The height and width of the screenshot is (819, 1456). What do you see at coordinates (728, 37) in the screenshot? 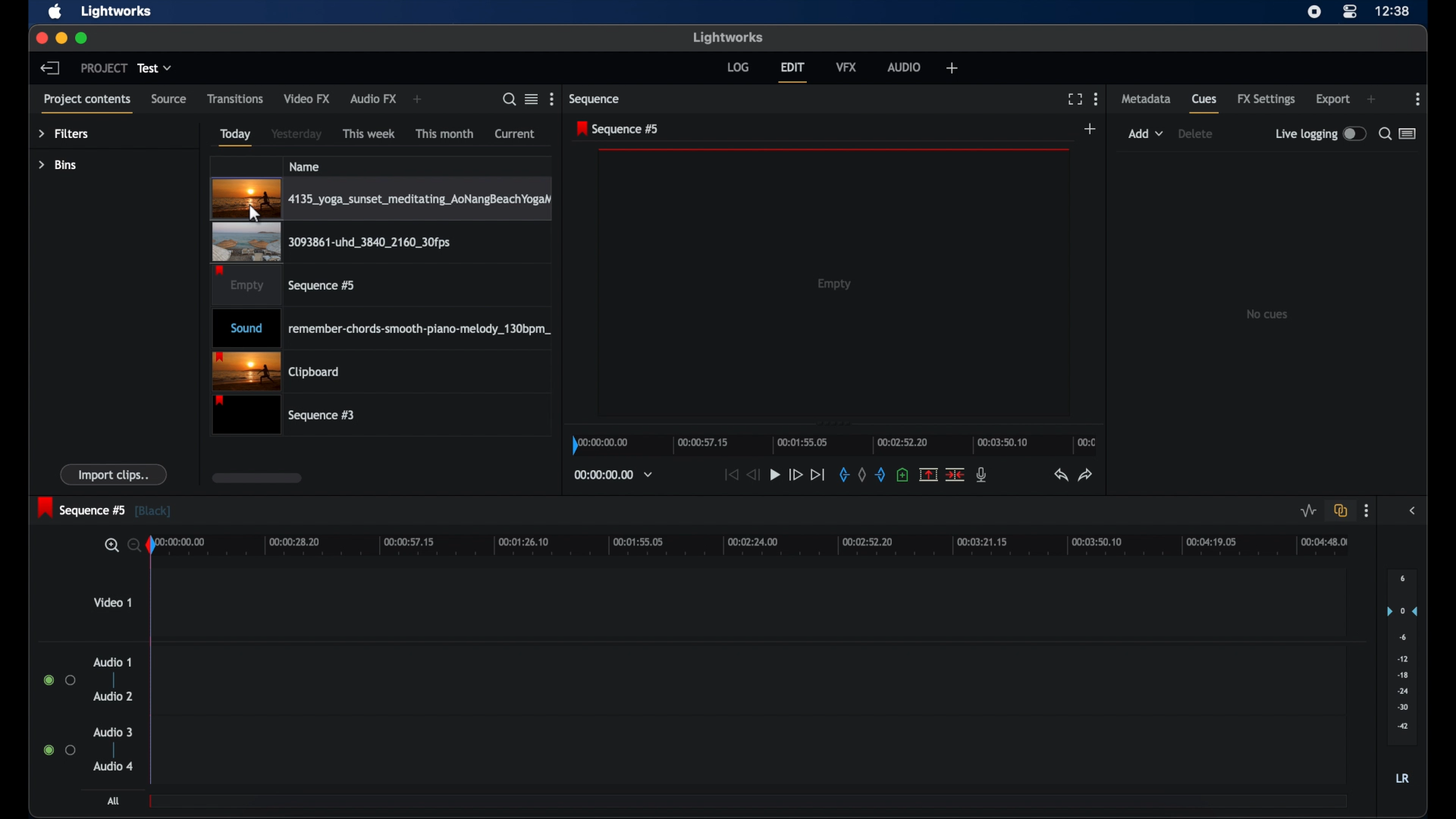
I see `lightworks` at bounding box center [728, 37].